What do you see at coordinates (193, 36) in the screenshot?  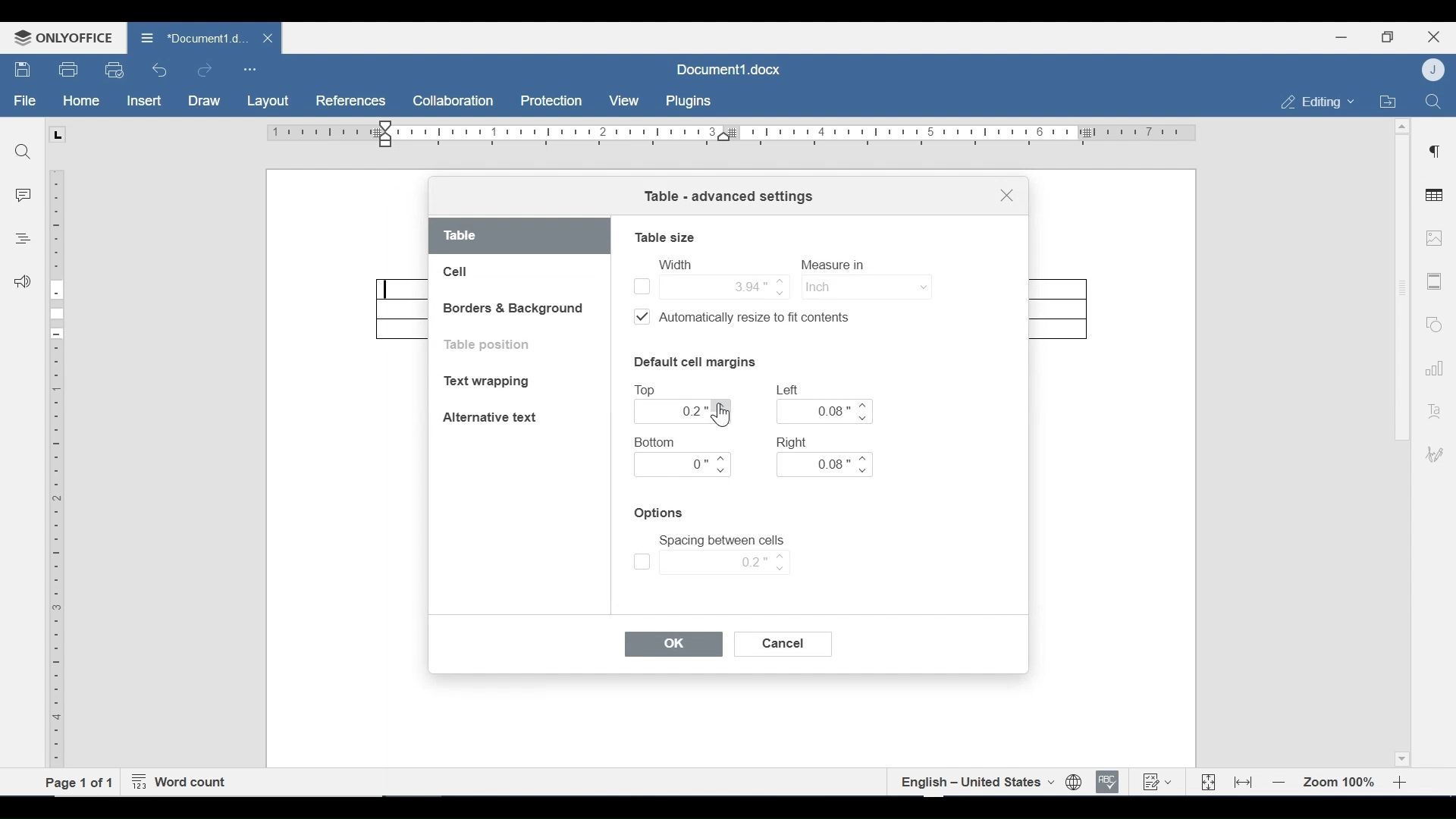 I see `*Document1.docx` at bounding box center [193, 36].